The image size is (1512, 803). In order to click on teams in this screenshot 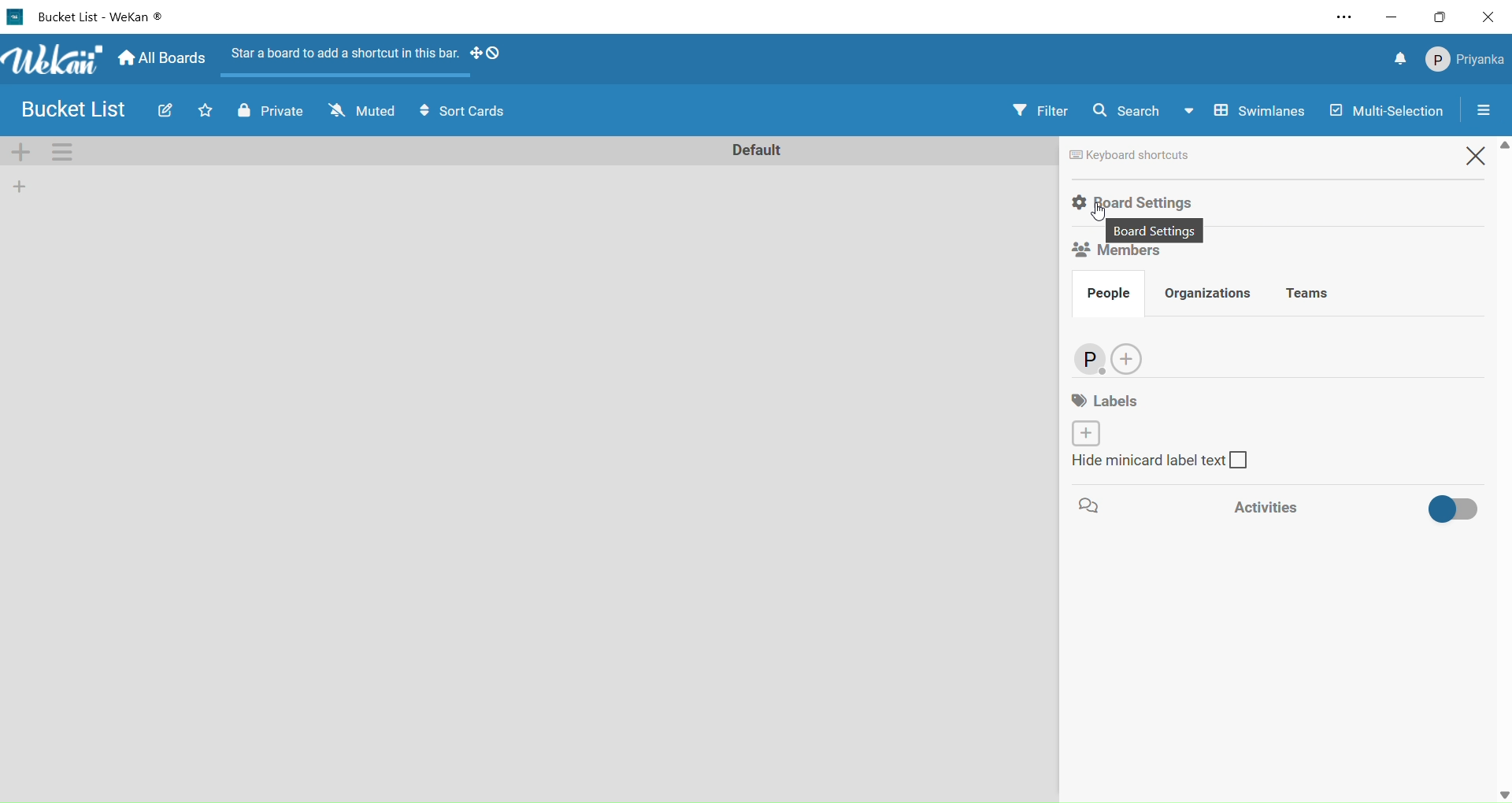, I will do `click(1314, 295)`.